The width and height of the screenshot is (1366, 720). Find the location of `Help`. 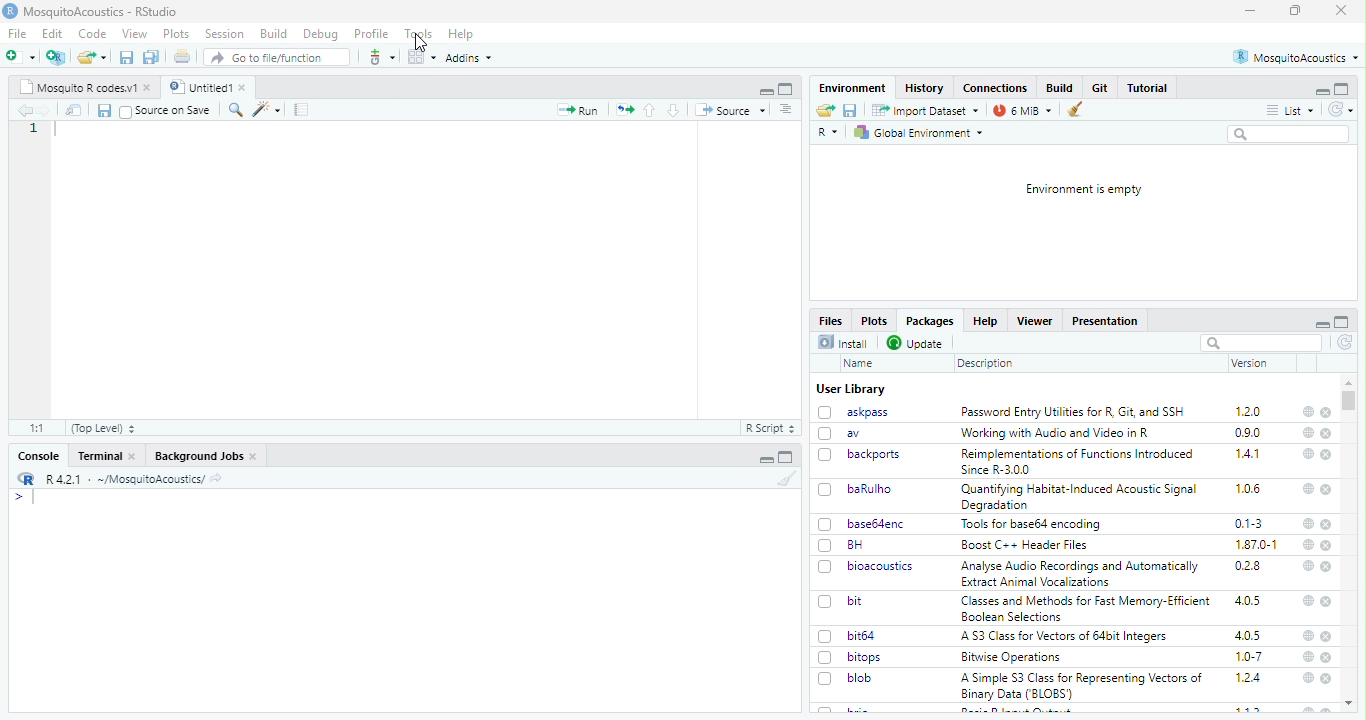

Help is located at coordinates (985, 321).